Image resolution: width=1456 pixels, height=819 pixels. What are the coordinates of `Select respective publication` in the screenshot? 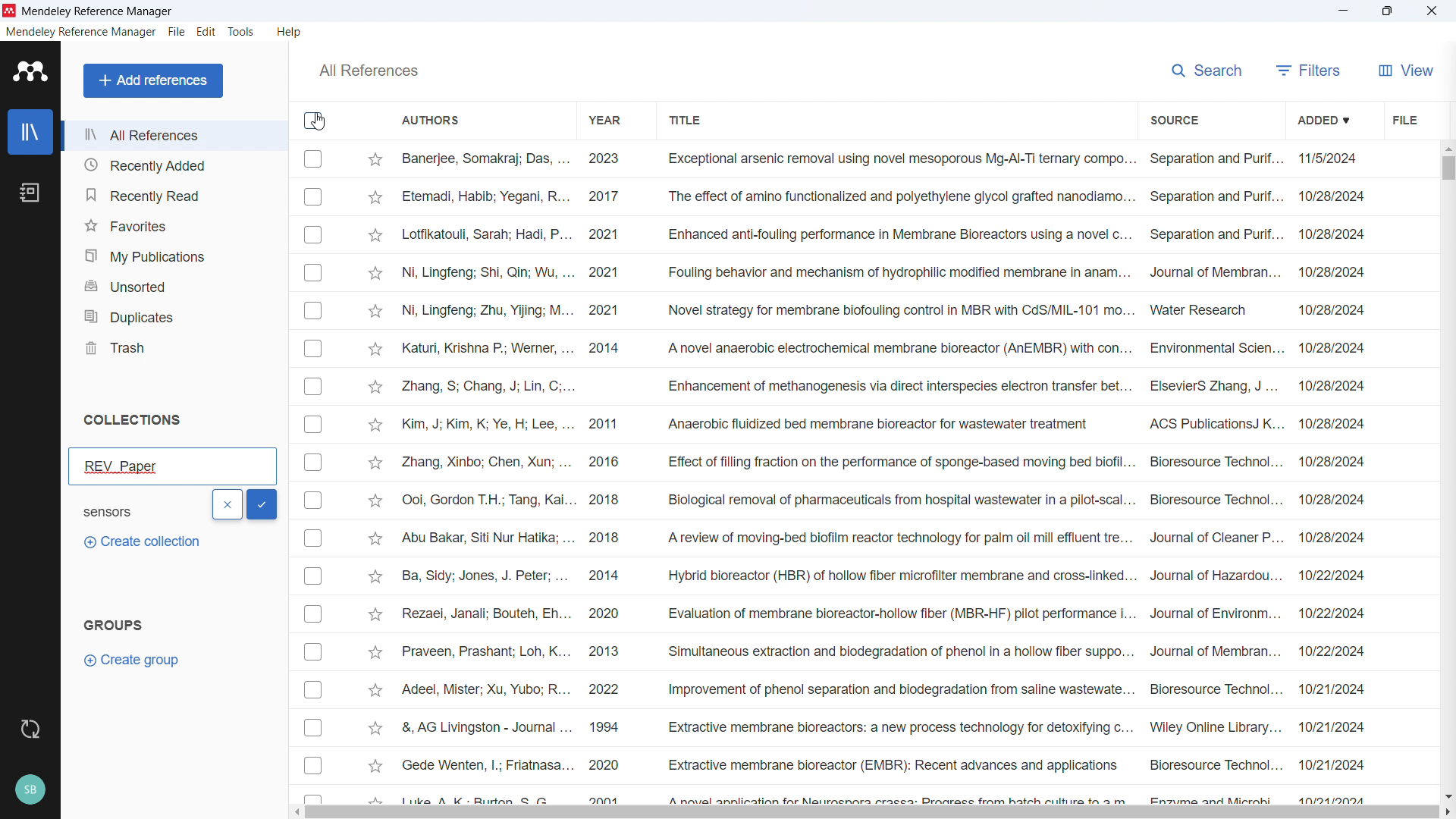 It's located at (313, 690).